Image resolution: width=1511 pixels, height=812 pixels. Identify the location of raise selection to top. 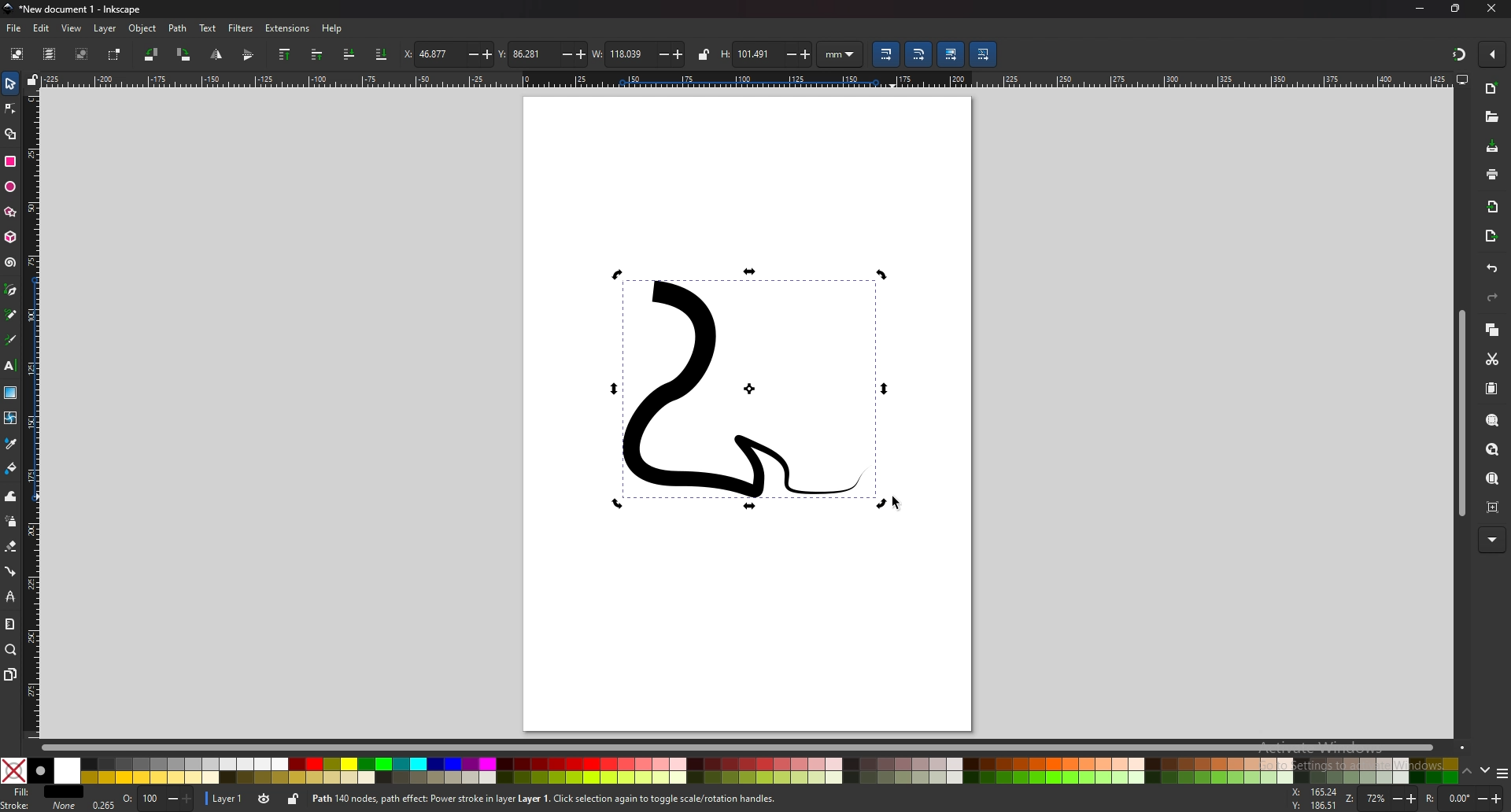
(286, 54).